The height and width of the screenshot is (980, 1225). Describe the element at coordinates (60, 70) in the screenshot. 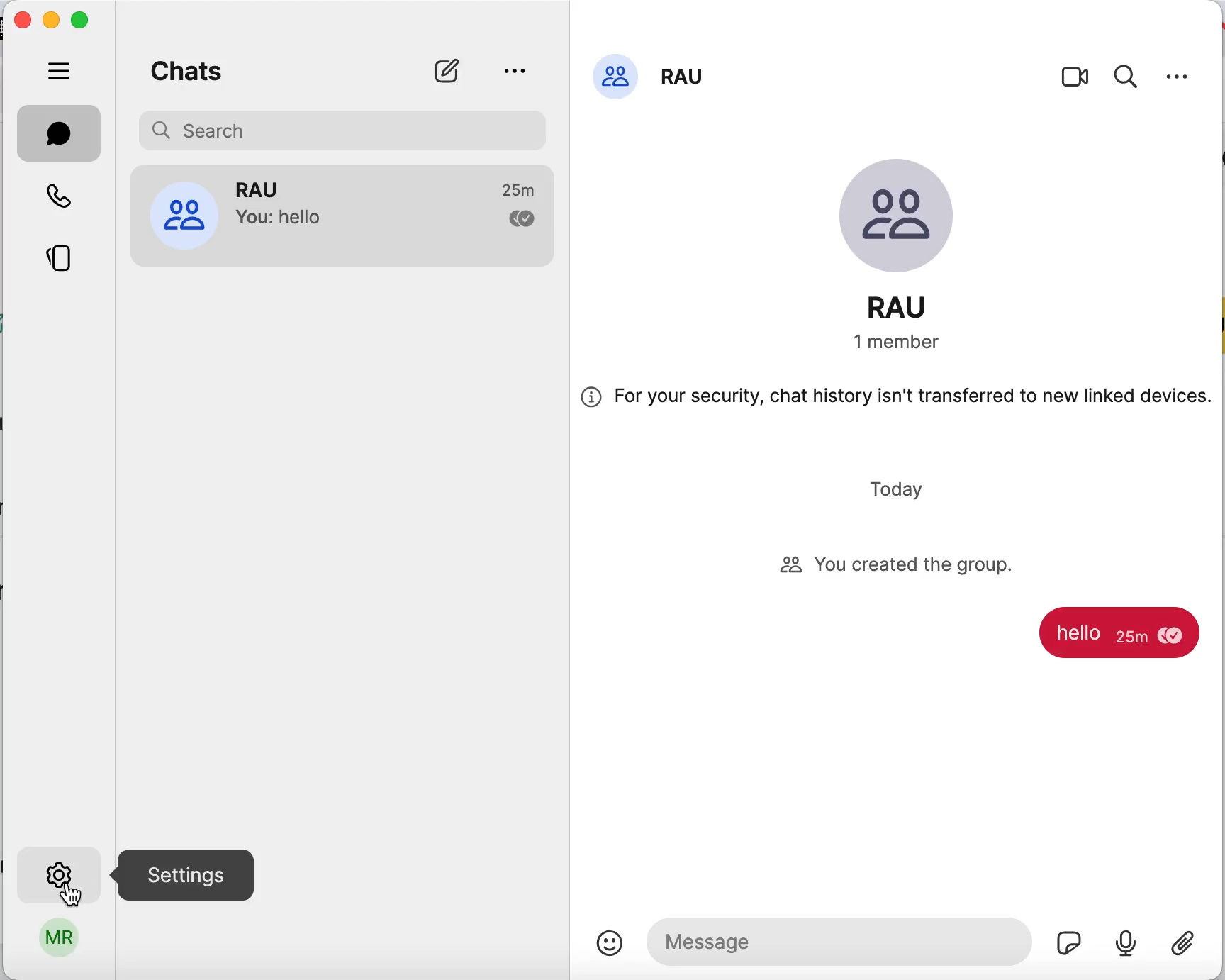

I see `hide tabs` at that location.